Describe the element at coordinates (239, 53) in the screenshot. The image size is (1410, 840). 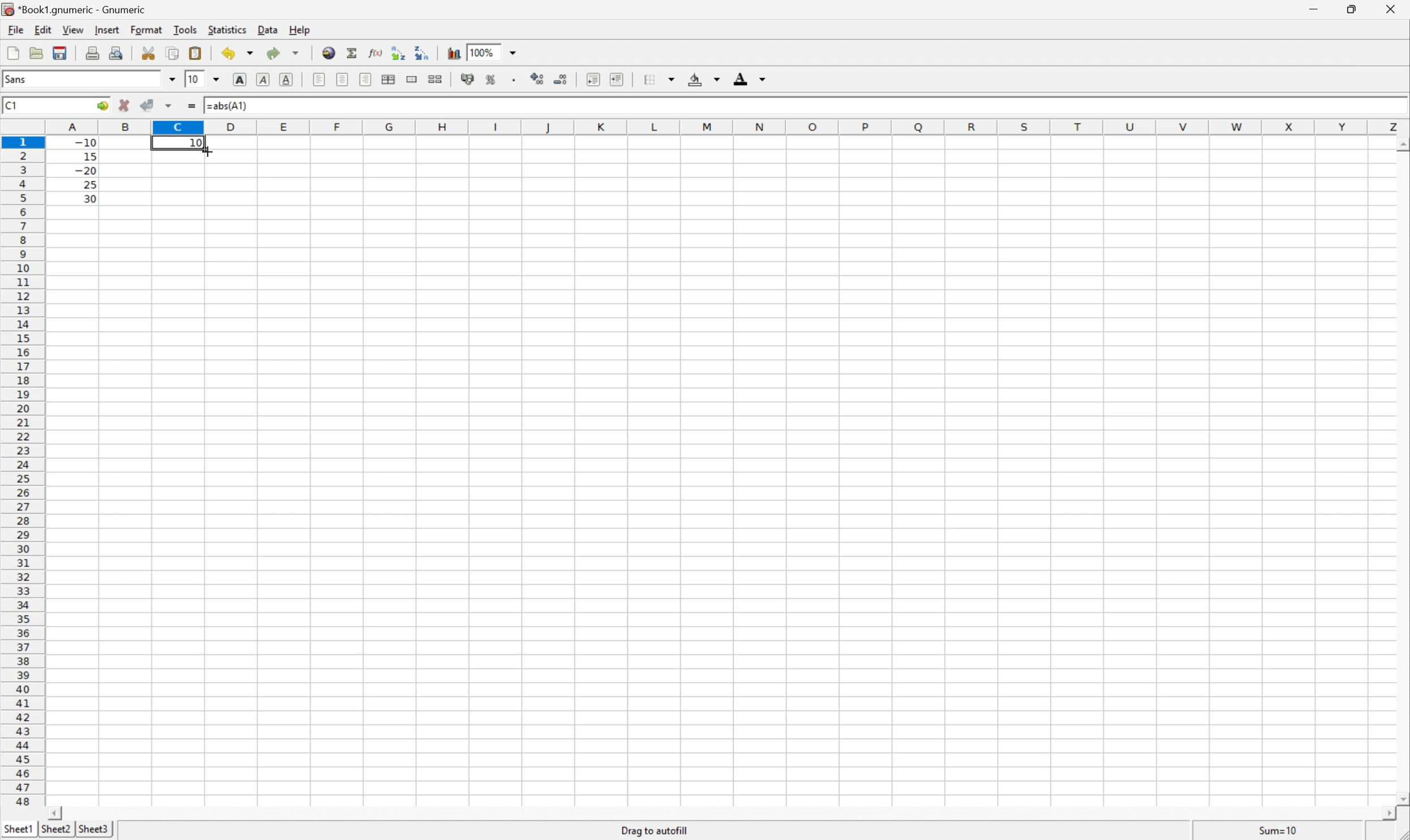
I see `Undo` at that location.